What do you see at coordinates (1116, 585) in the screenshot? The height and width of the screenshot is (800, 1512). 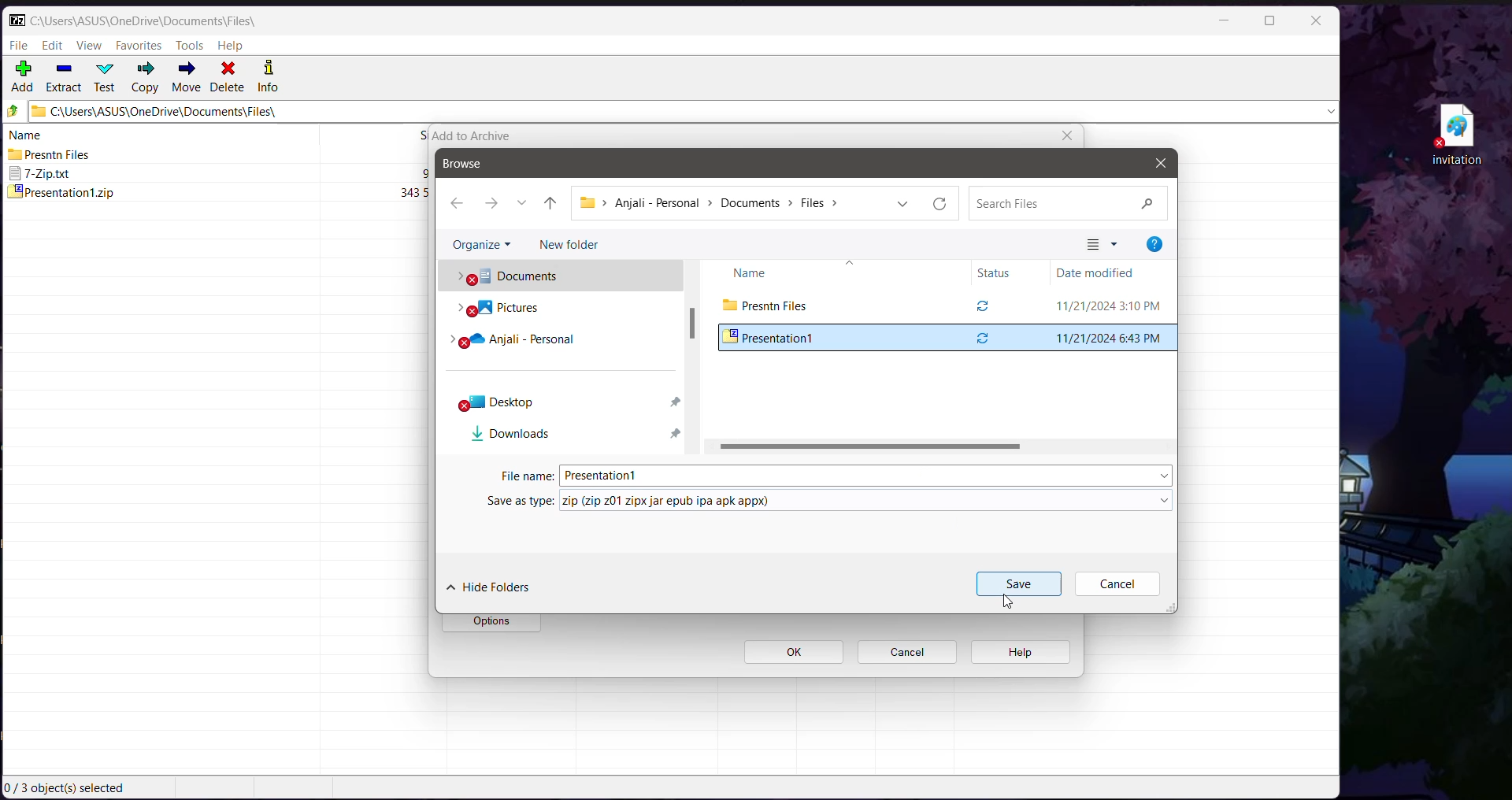 I see `Cancel` at bounding box center [1116, 585].